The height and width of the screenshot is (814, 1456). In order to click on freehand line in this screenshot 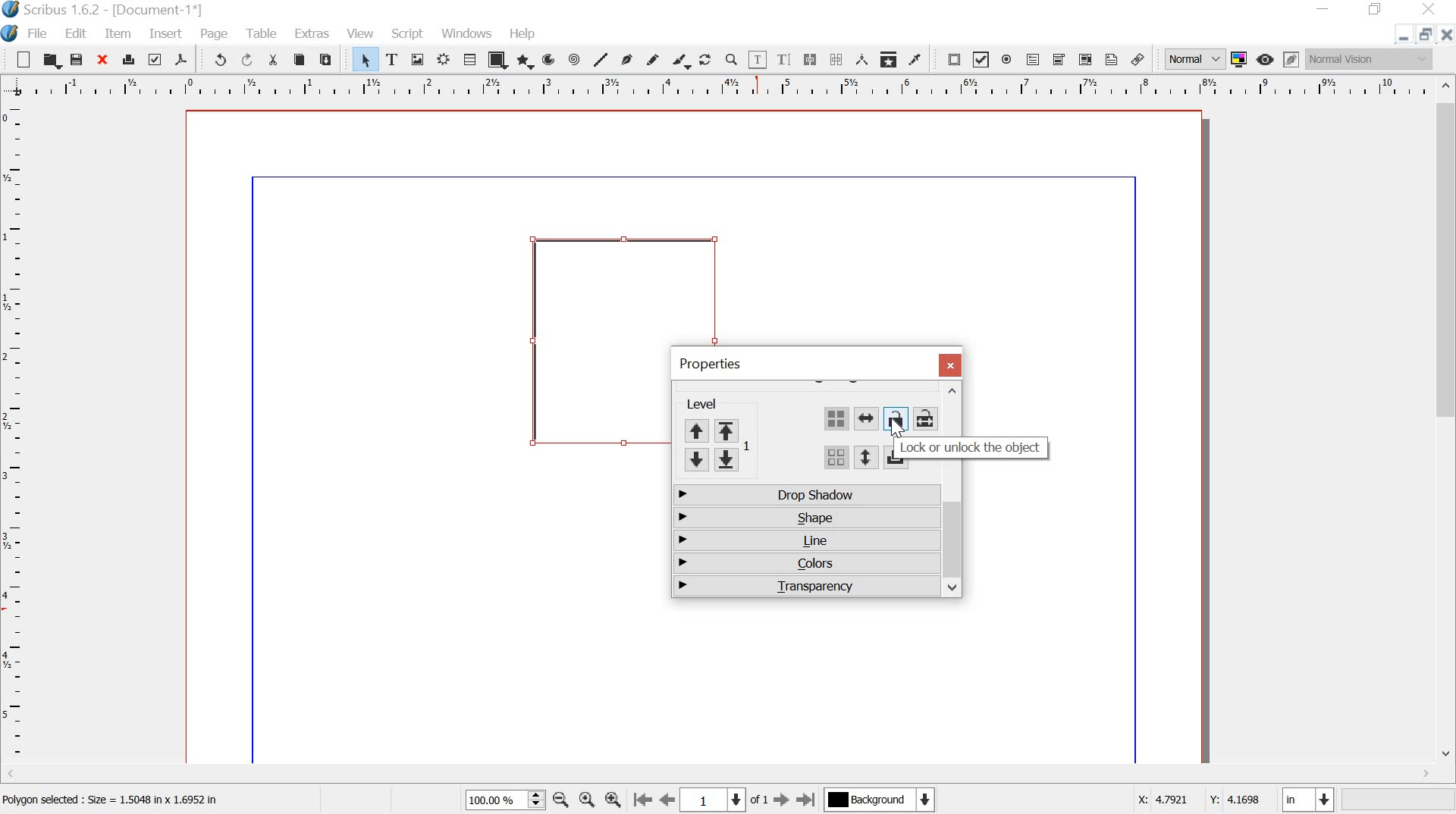, I will do `click(656, 61)`.